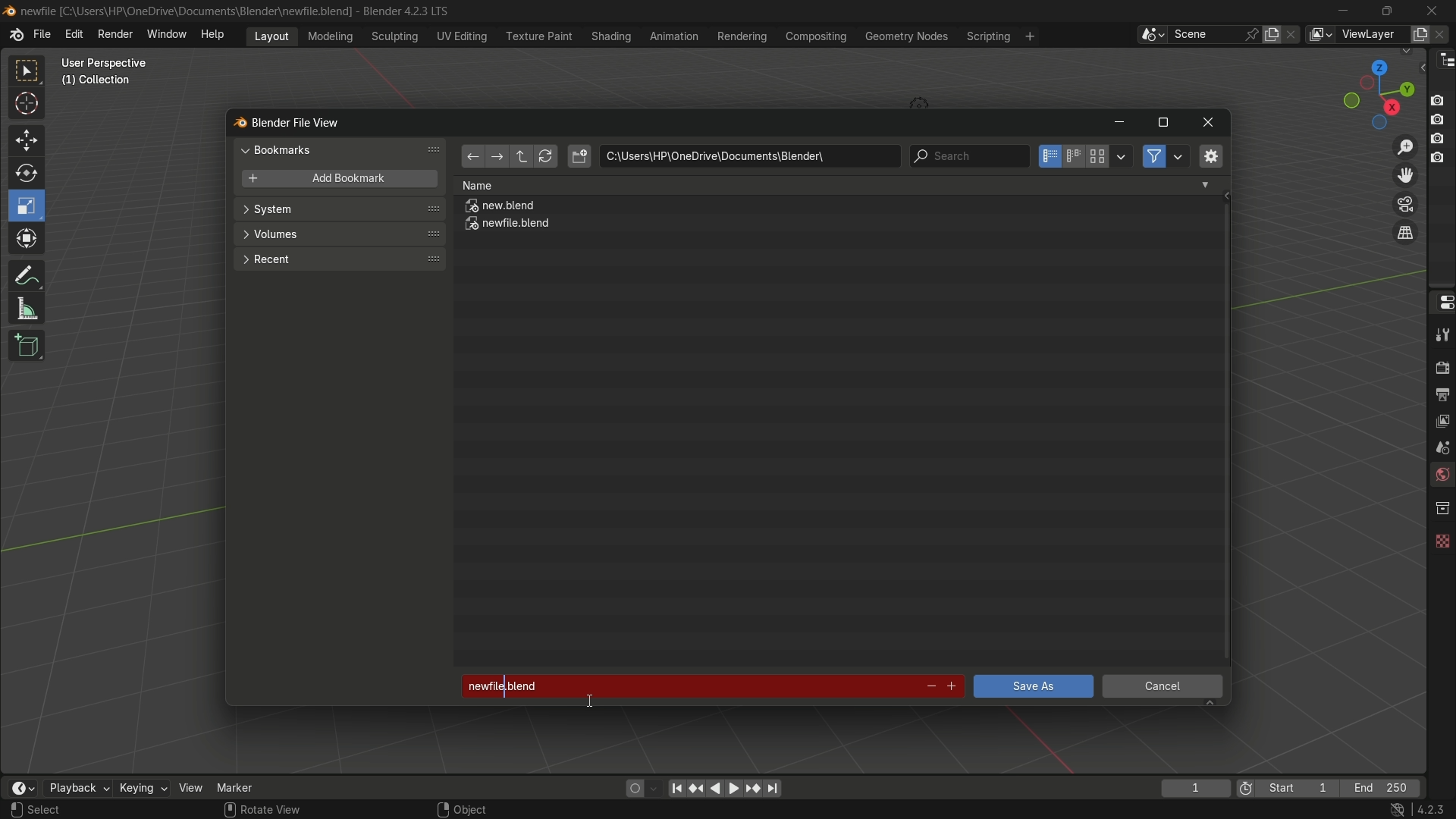 Image resolution: width=1456 pixels, height=819 pixels. What do you see at coordinates (1344, 11) in the screenshot?
I see `minimize` at bounding box center [1344, 11].